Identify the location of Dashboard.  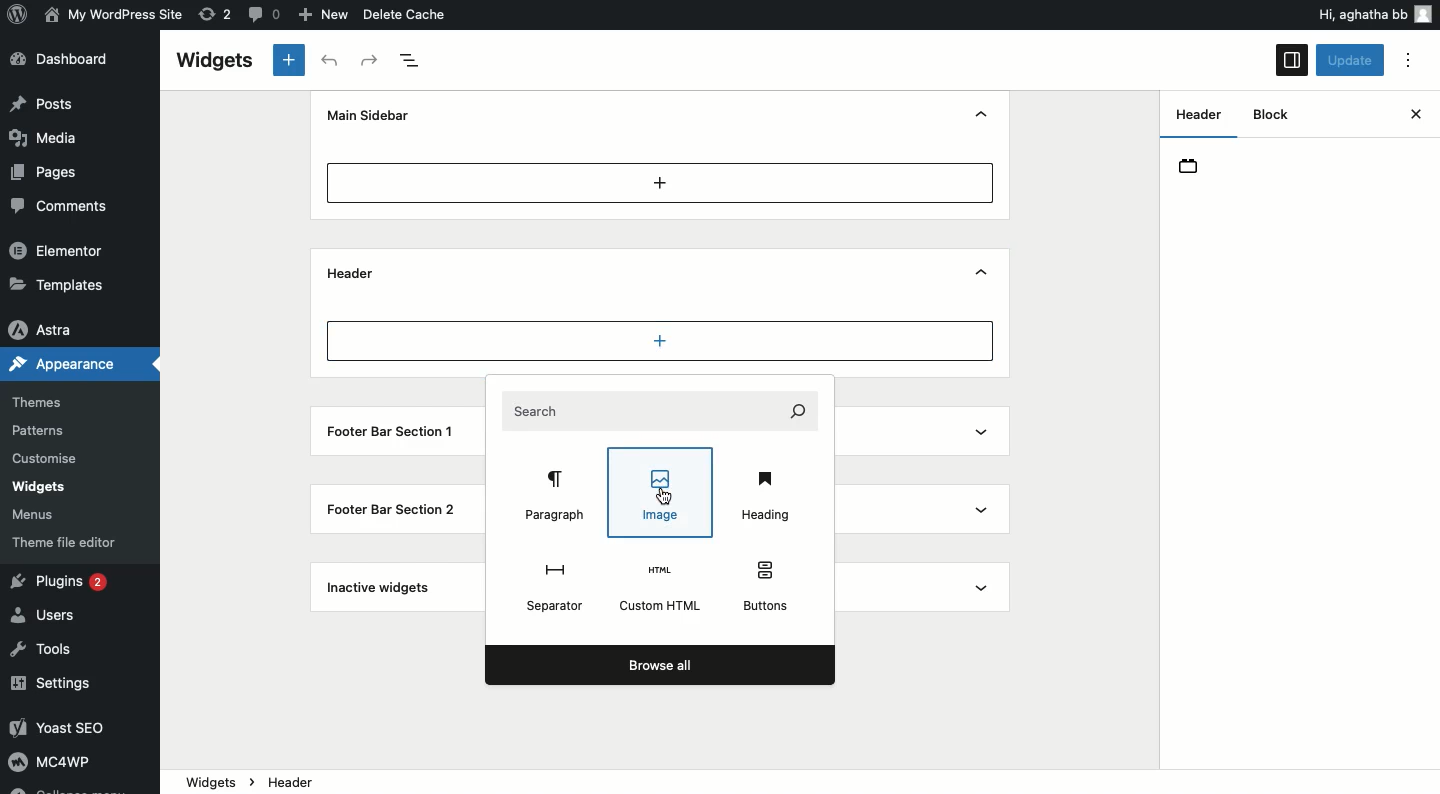
(67, 59).